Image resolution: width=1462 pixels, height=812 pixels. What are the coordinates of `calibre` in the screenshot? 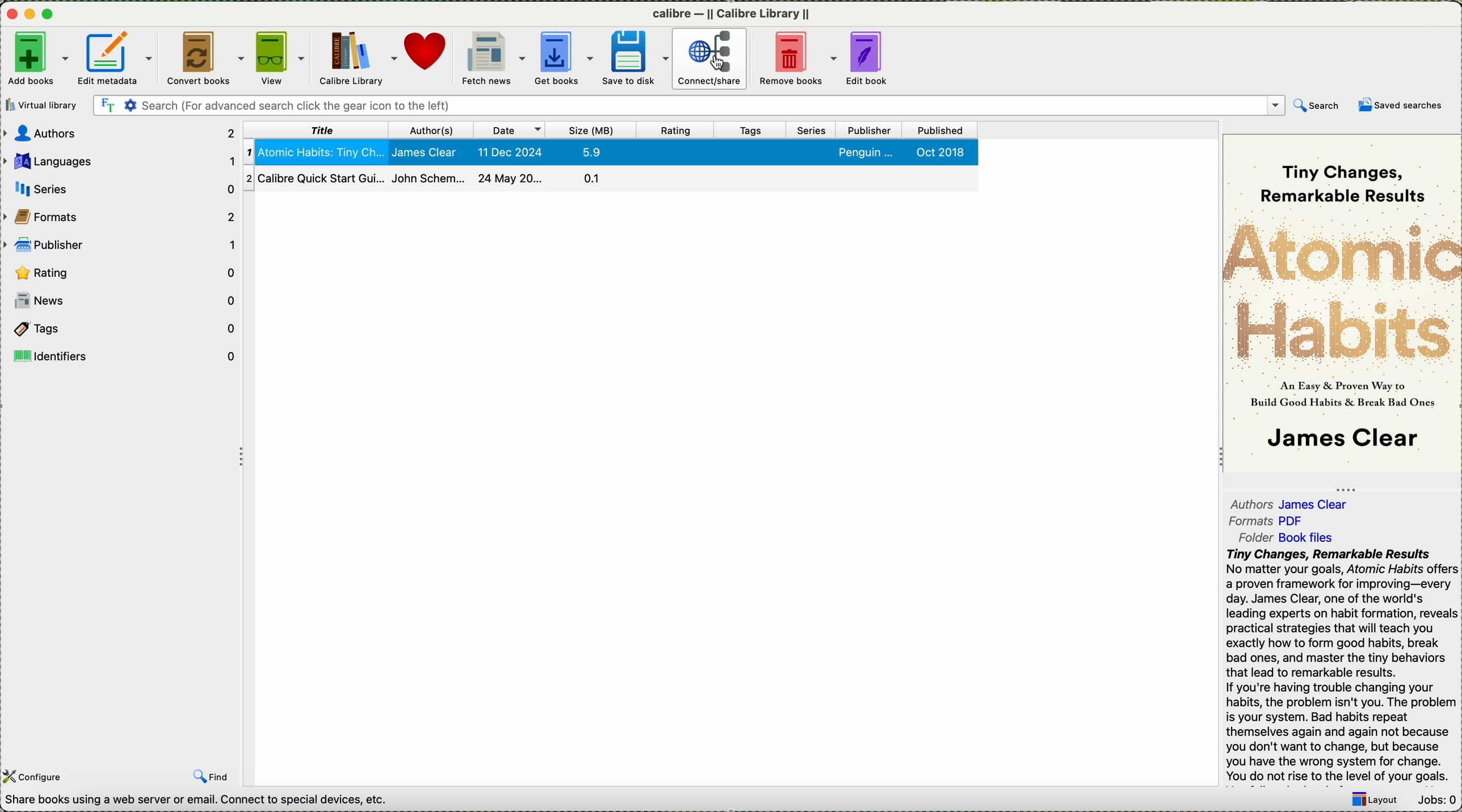 It's located at (731, 15).